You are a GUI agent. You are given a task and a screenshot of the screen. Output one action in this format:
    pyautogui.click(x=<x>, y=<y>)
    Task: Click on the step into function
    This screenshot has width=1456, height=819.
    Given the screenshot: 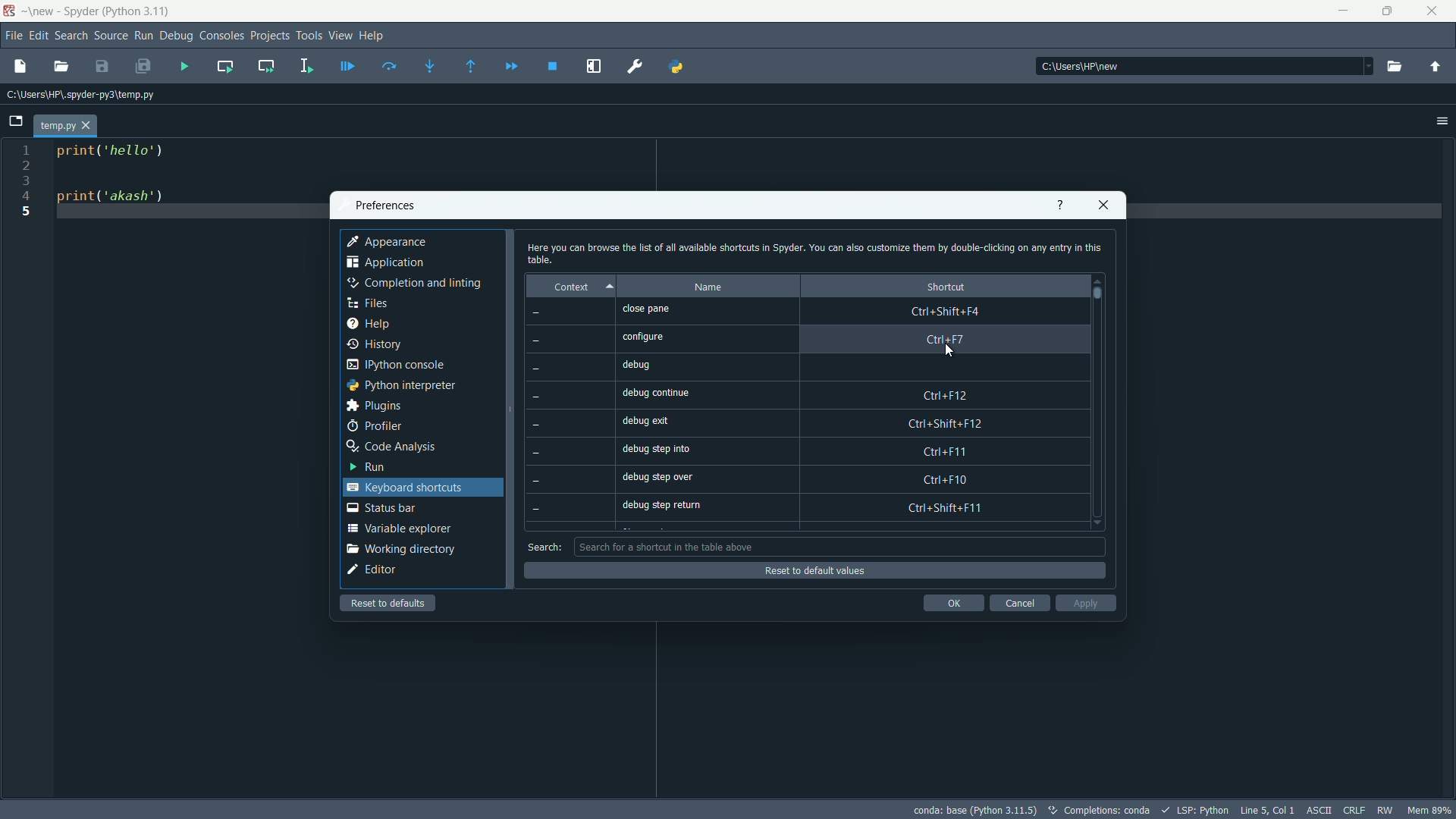 What is the action you would take?
    pyautogui.click(x=430, y=67)
    